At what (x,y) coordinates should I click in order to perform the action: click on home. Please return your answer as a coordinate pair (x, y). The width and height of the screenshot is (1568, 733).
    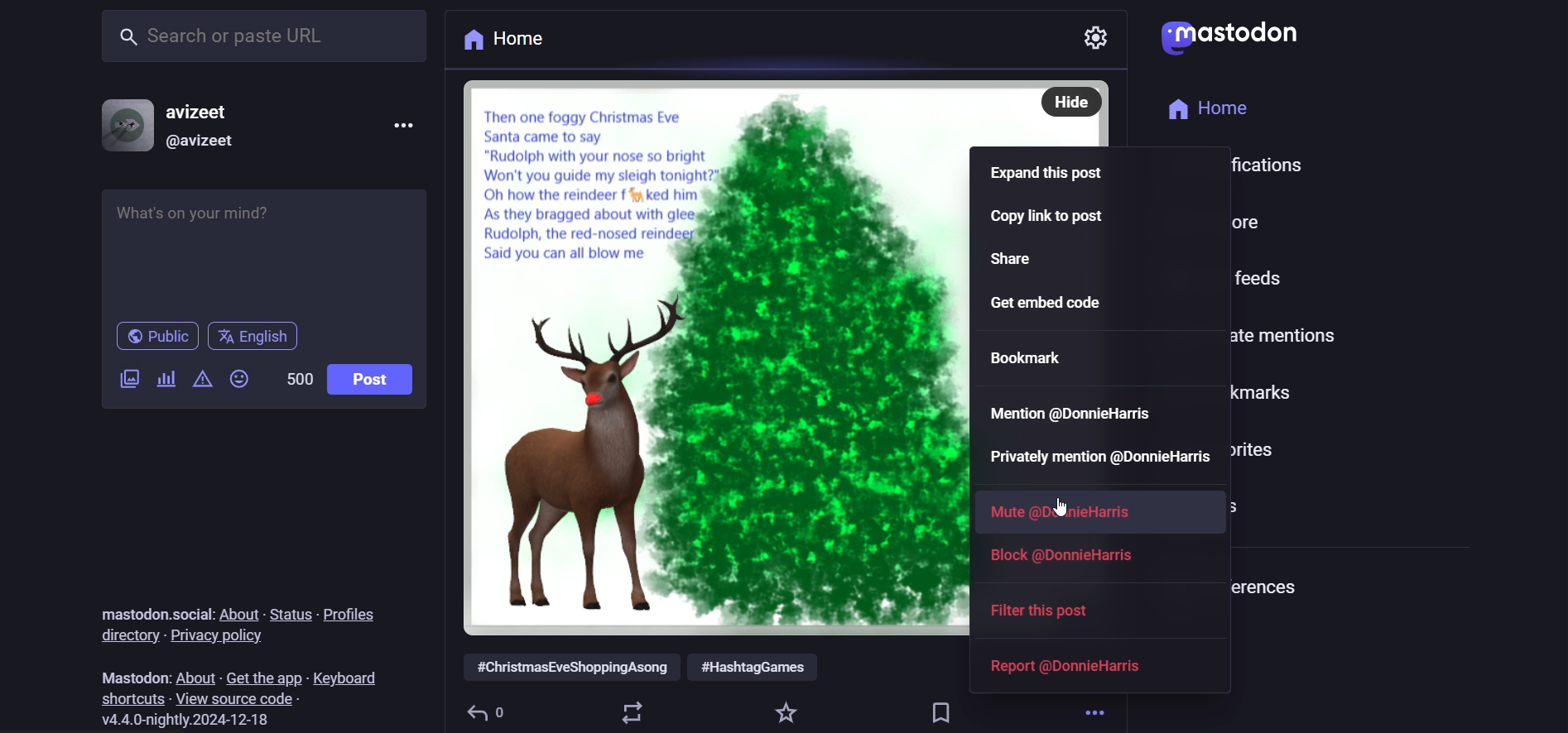
    Looking at the image, I should click on (1205, 109).